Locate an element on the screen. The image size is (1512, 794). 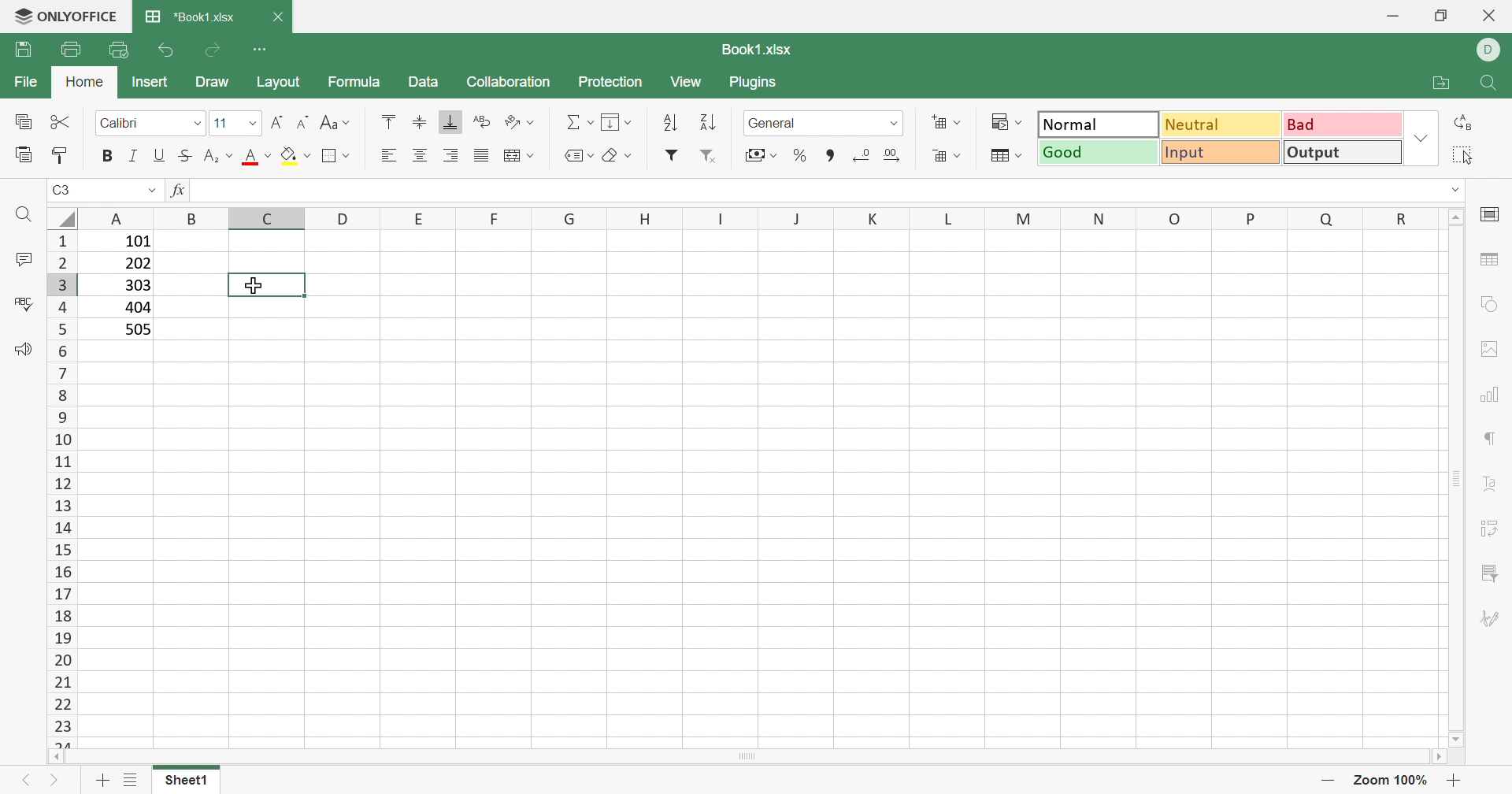
Formula is located at coordinates (355, 80).